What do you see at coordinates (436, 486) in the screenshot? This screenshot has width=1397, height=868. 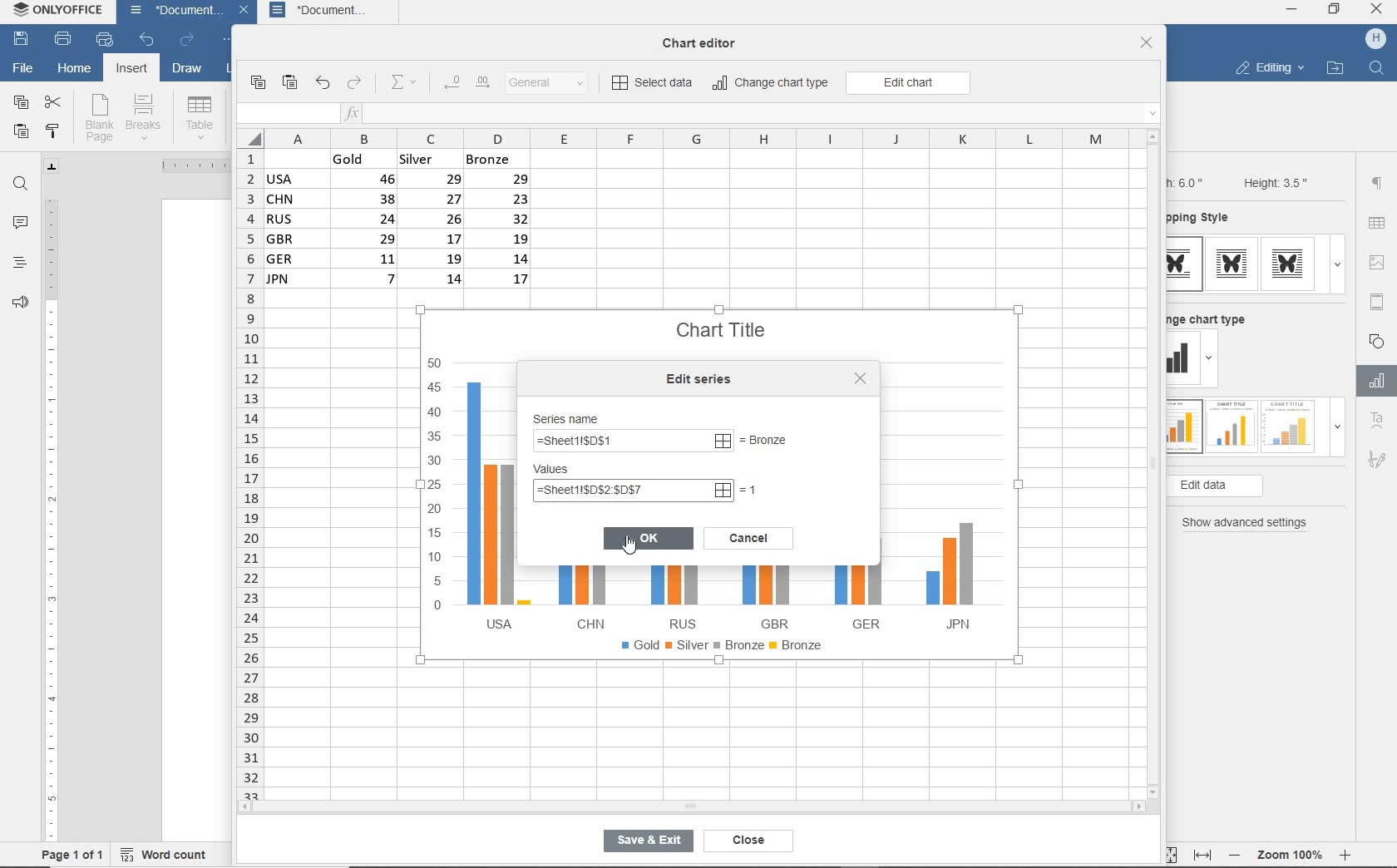 I see `y axis values` at bounding box center [436, 486].